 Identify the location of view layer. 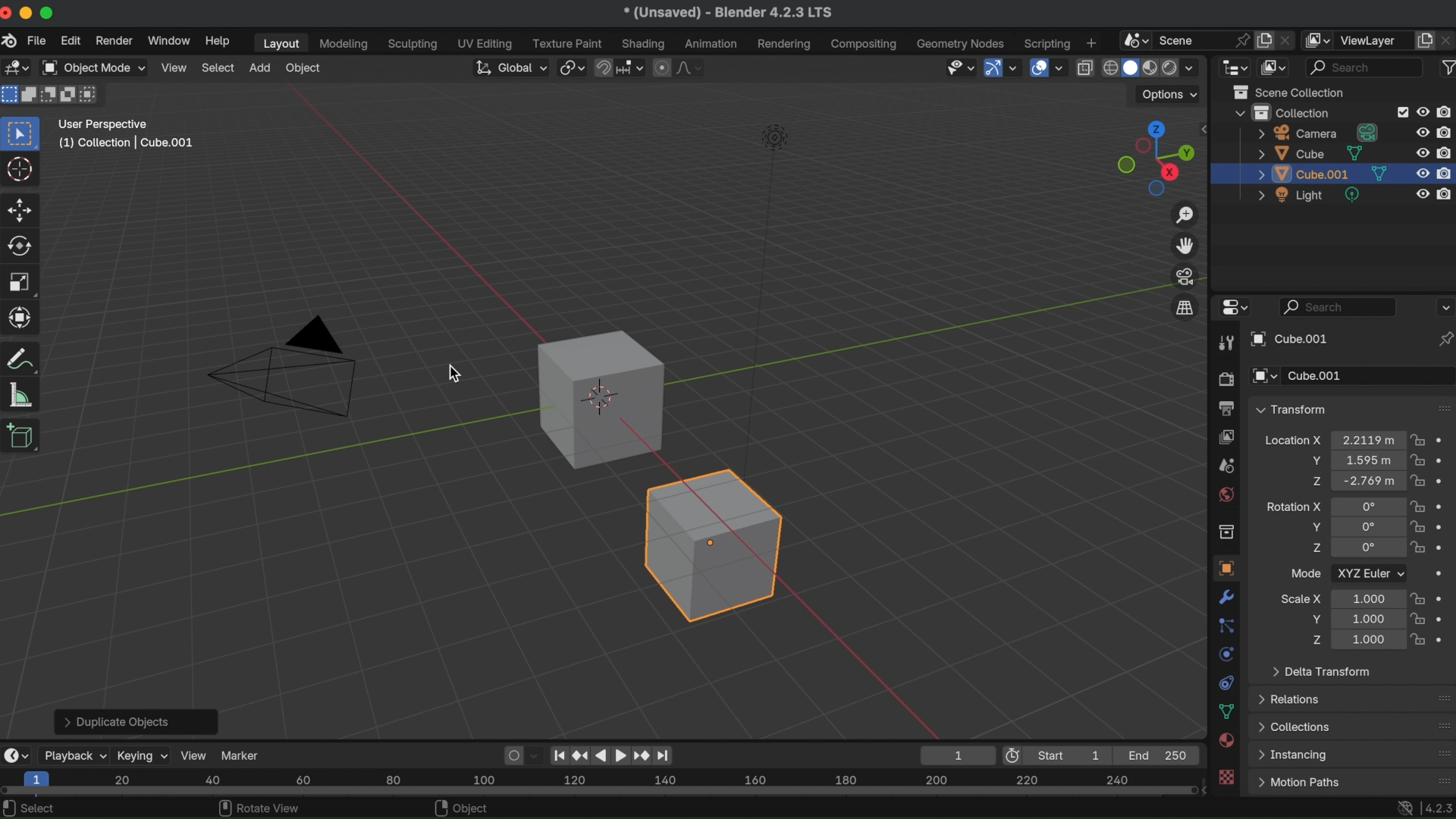
(1373, 40).